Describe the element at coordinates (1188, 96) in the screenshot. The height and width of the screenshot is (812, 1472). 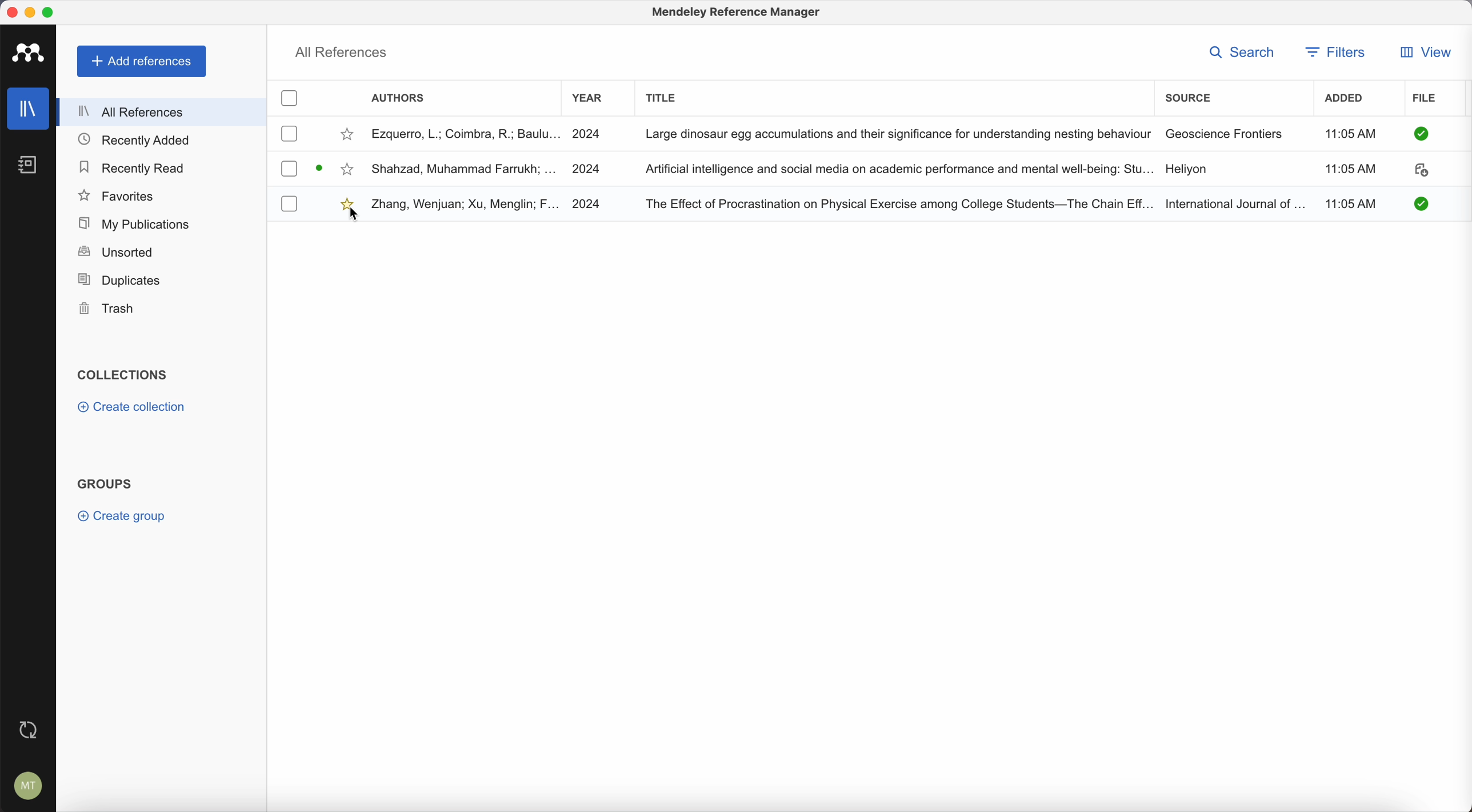
I see `source` at that location.